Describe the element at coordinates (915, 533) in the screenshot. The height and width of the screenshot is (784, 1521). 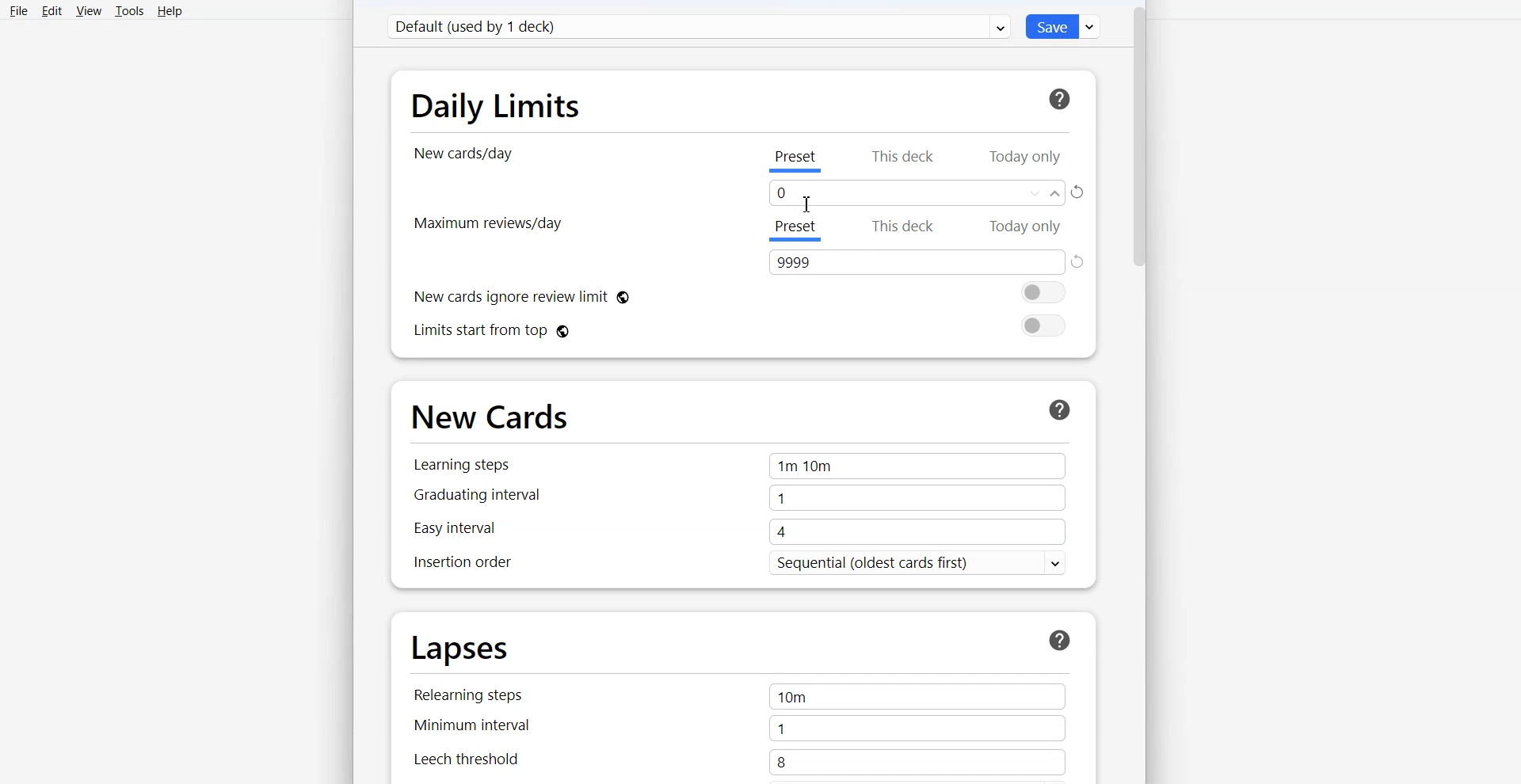
I see `4` at that location.